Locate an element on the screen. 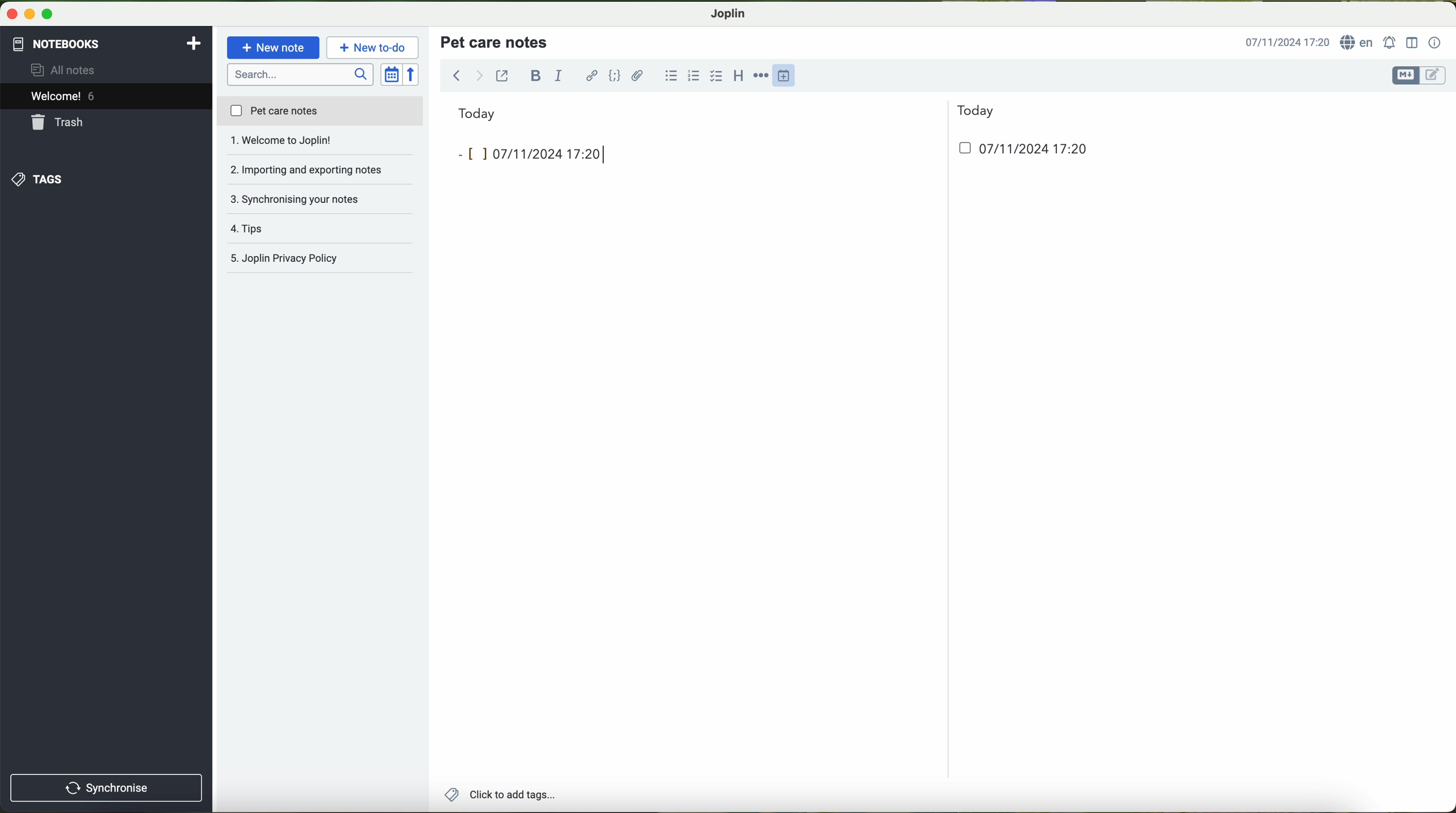  joplin privacy policy is located at coordinates (314, 260).